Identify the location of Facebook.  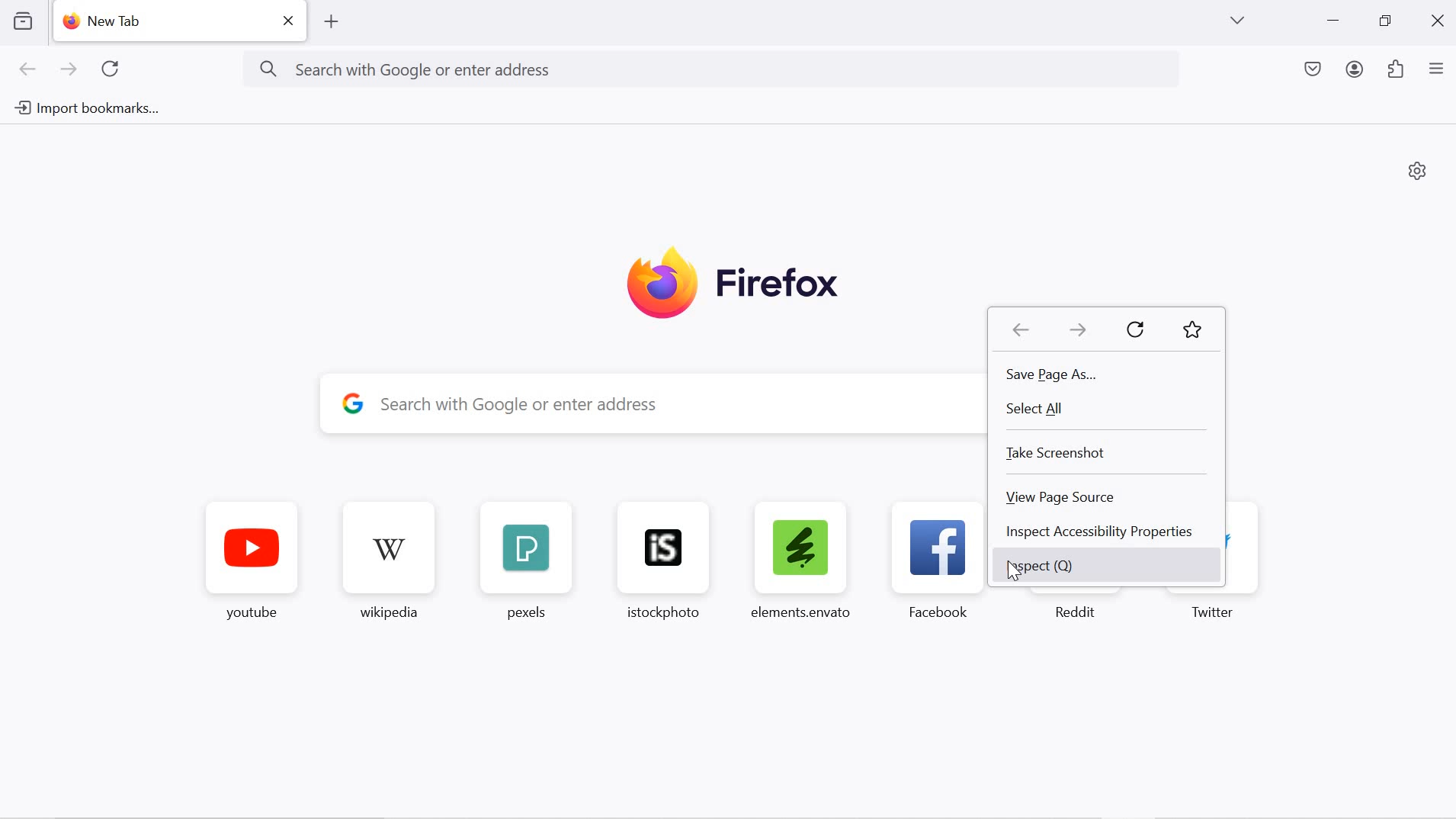
(936, 571).